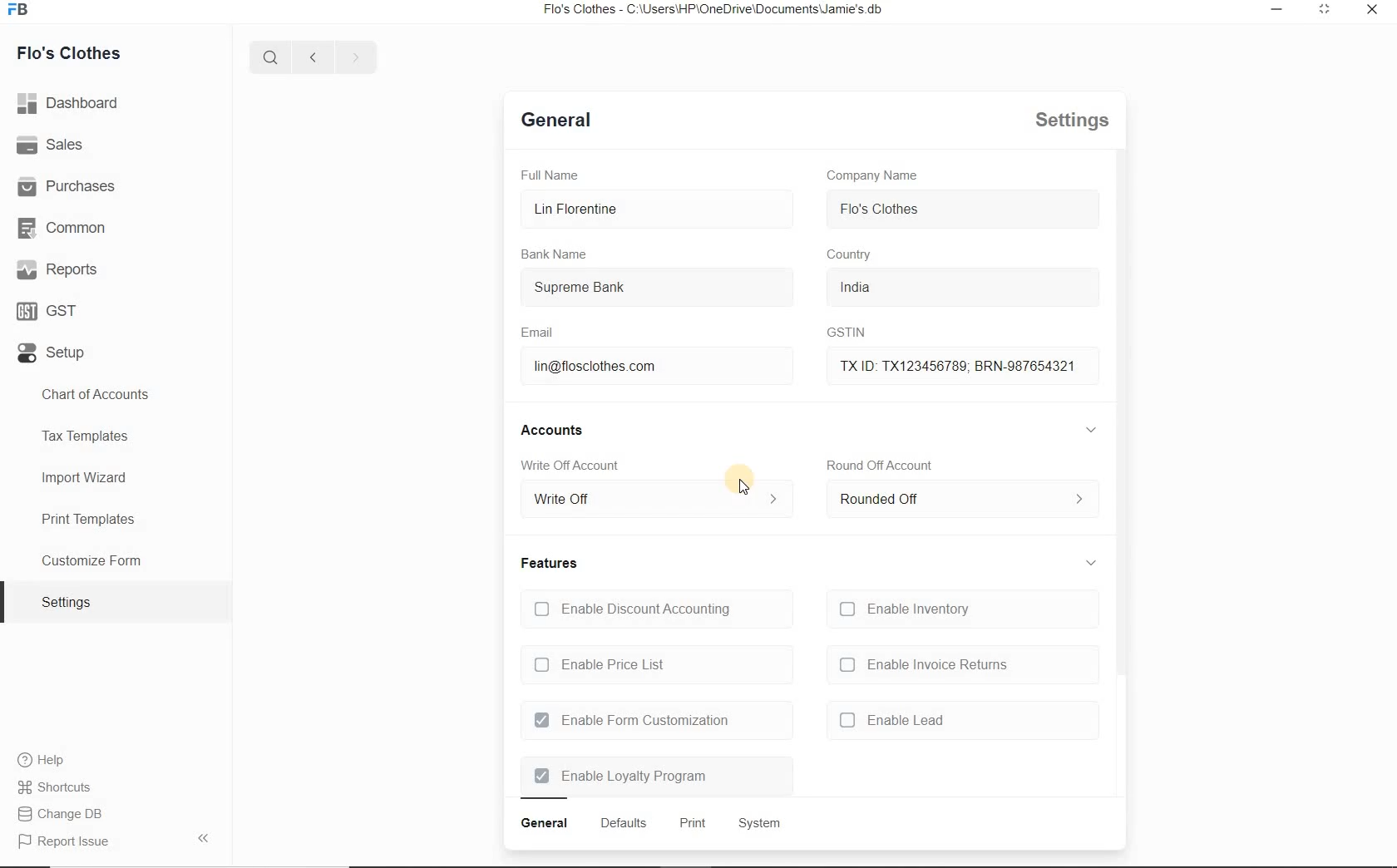  I want to click on Company Name, so click(873, 175).